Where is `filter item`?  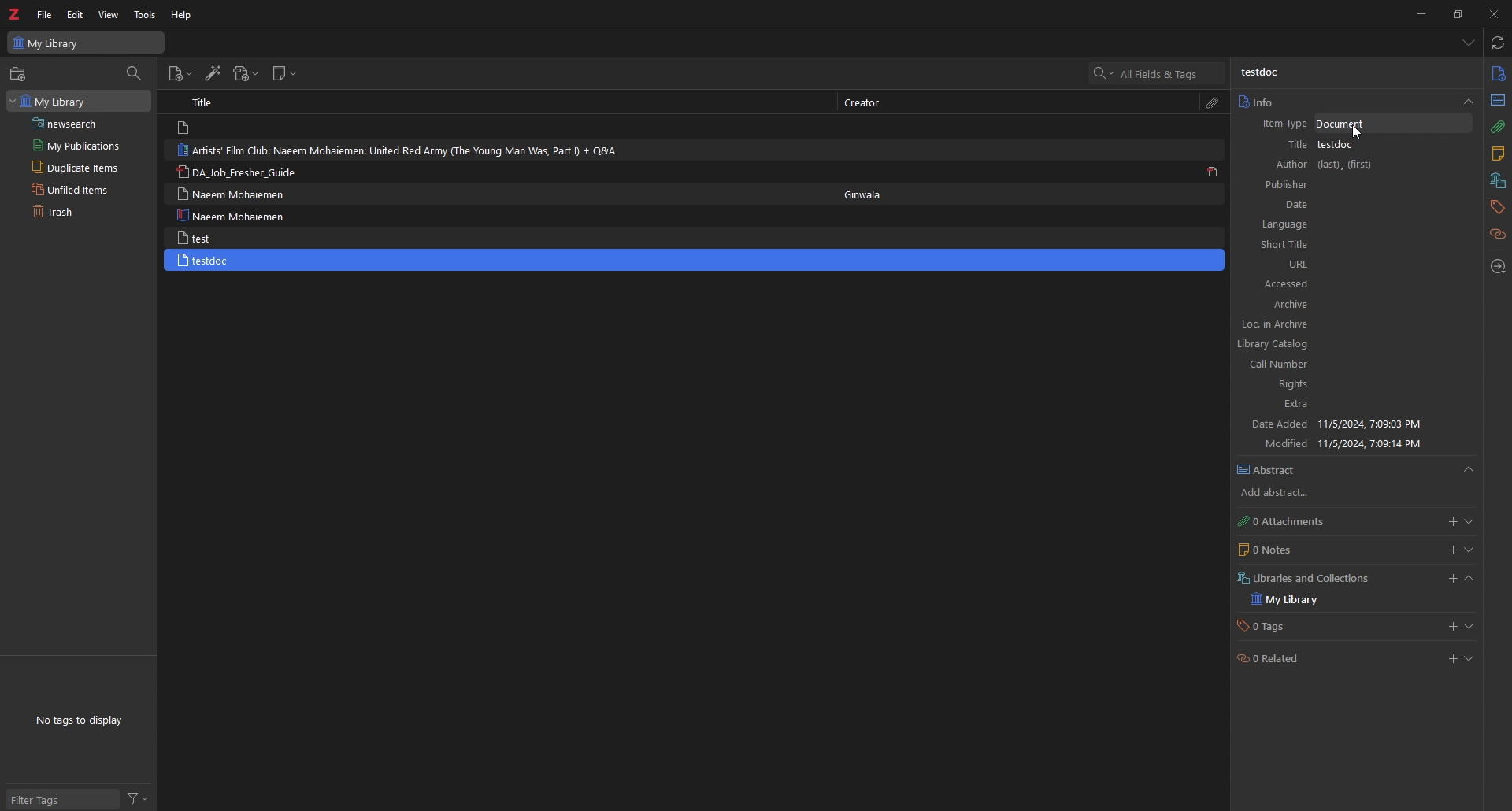 filter item is located at coordinates (135, 74).